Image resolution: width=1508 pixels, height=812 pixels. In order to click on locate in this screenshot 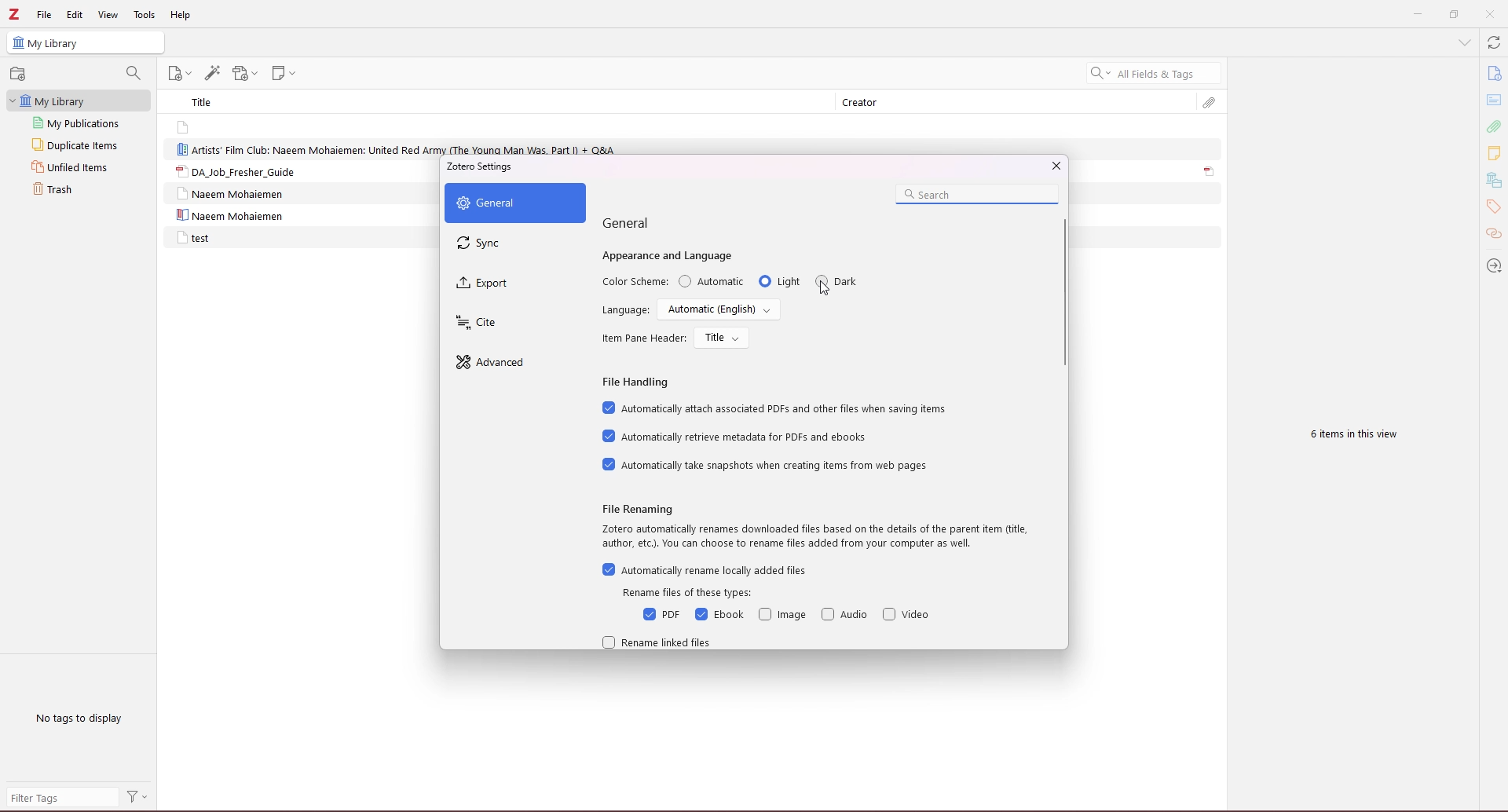, I will do `click(1492, 265)`.